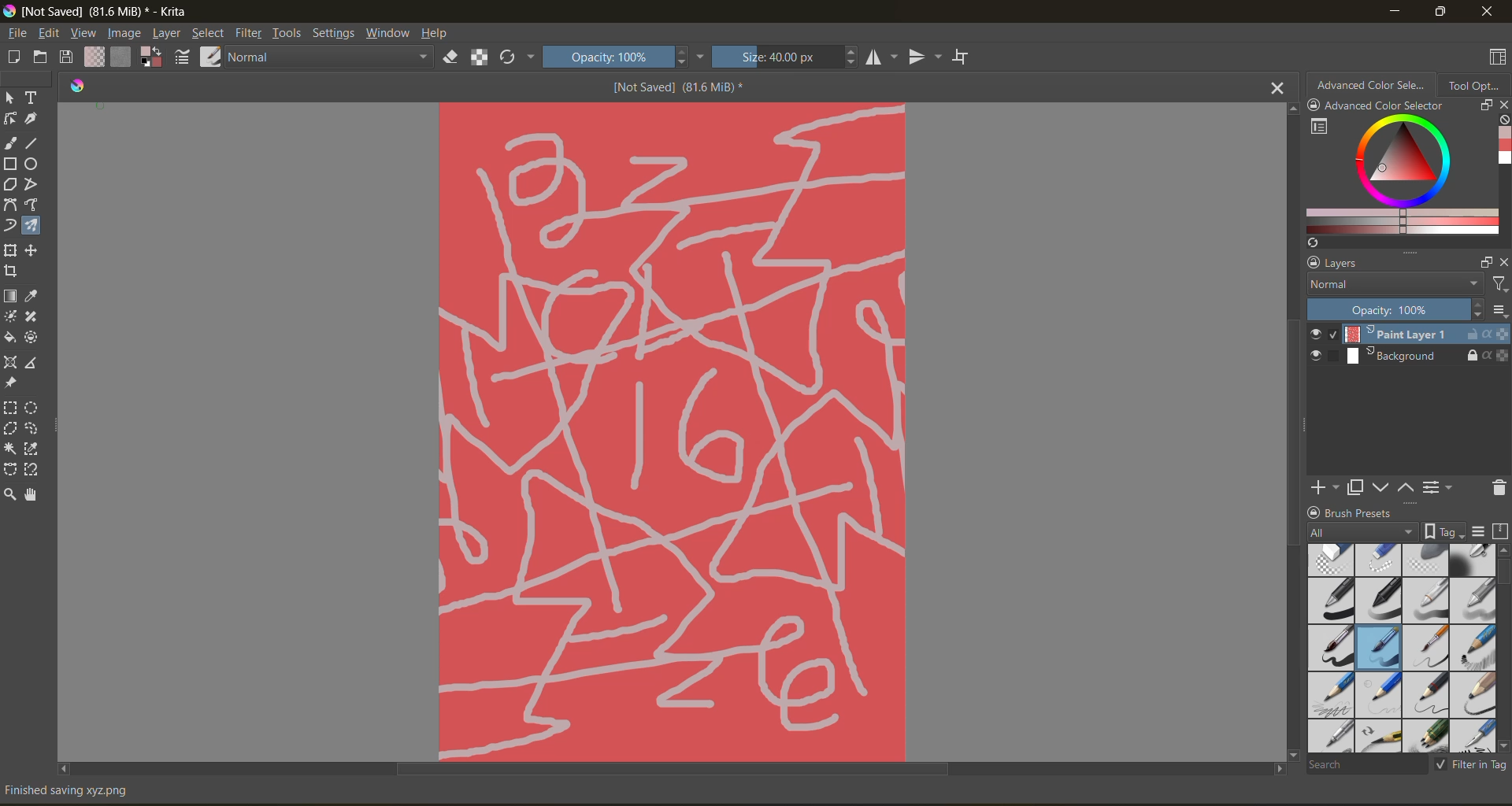  What do you see at coordinates (1392, 10) in the screenshot?
I see `minimize` at bounding box center [1392, 10].